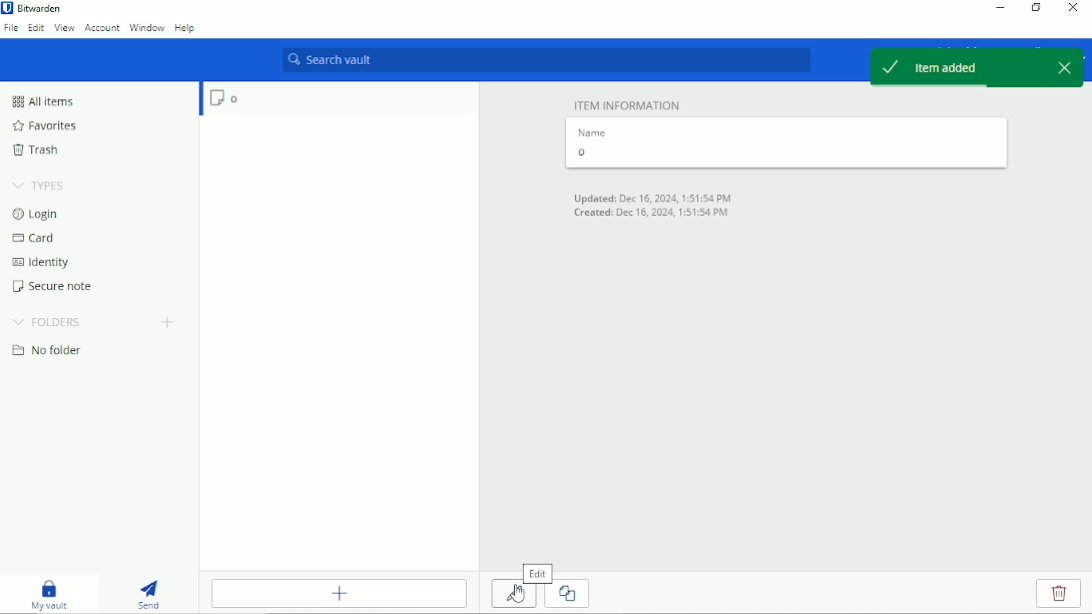 The width and height of the screenshot is (1092, 614). I want to click on Identity, so click(40, 263).